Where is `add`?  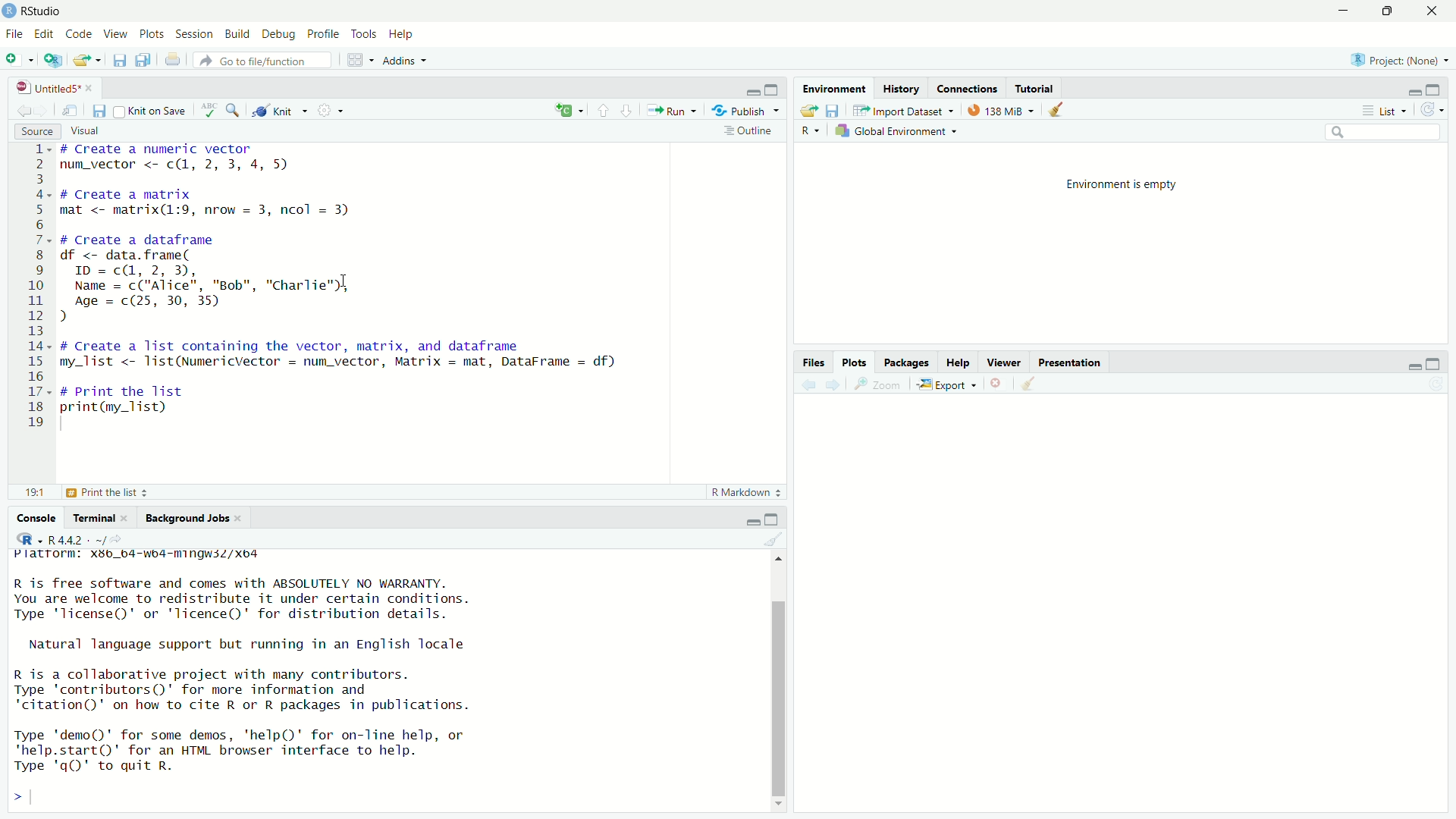
add is located at coordinates (20, 62).